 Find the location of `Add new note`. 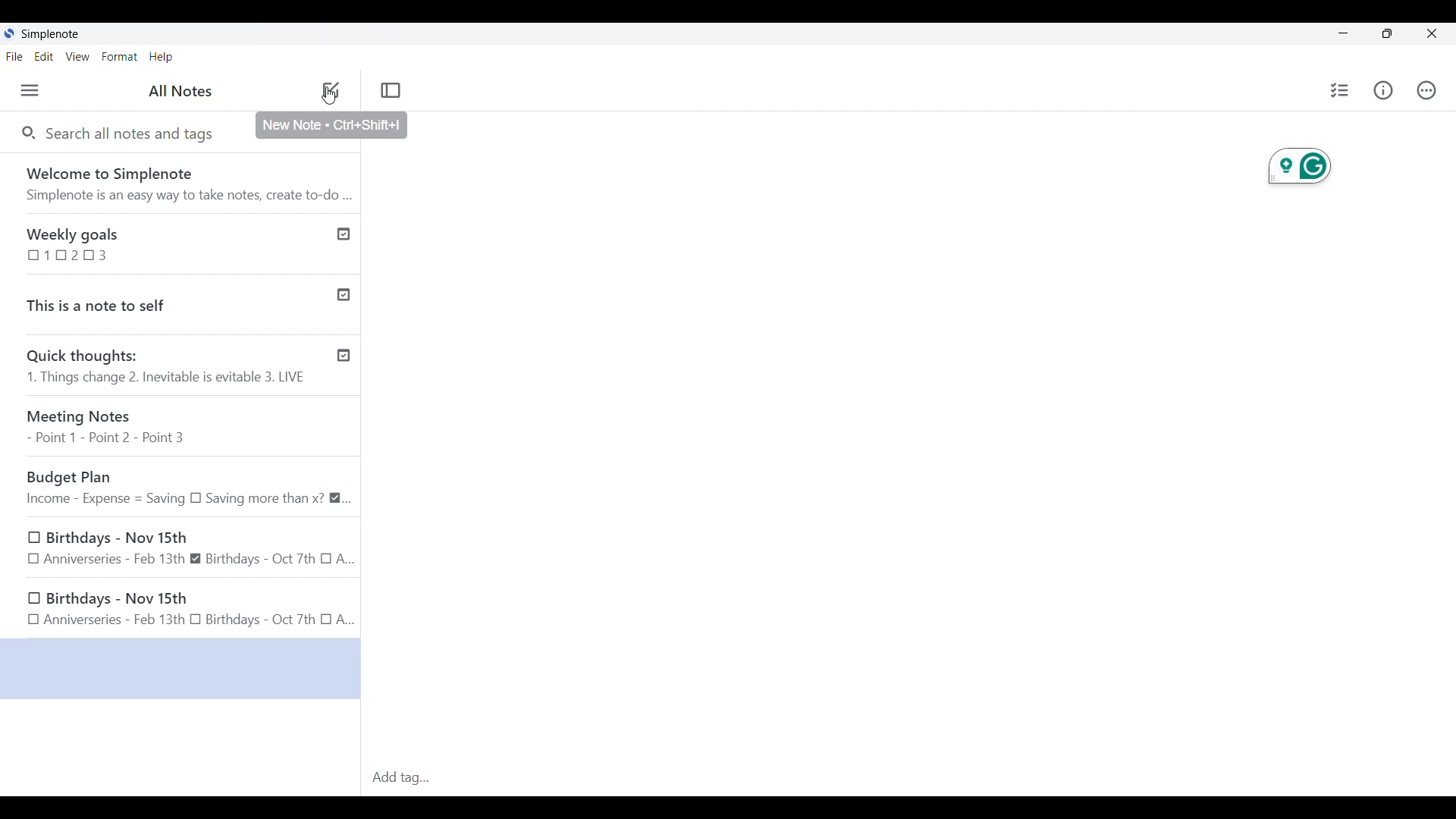

Add new note is located at coordinates (331, 89).